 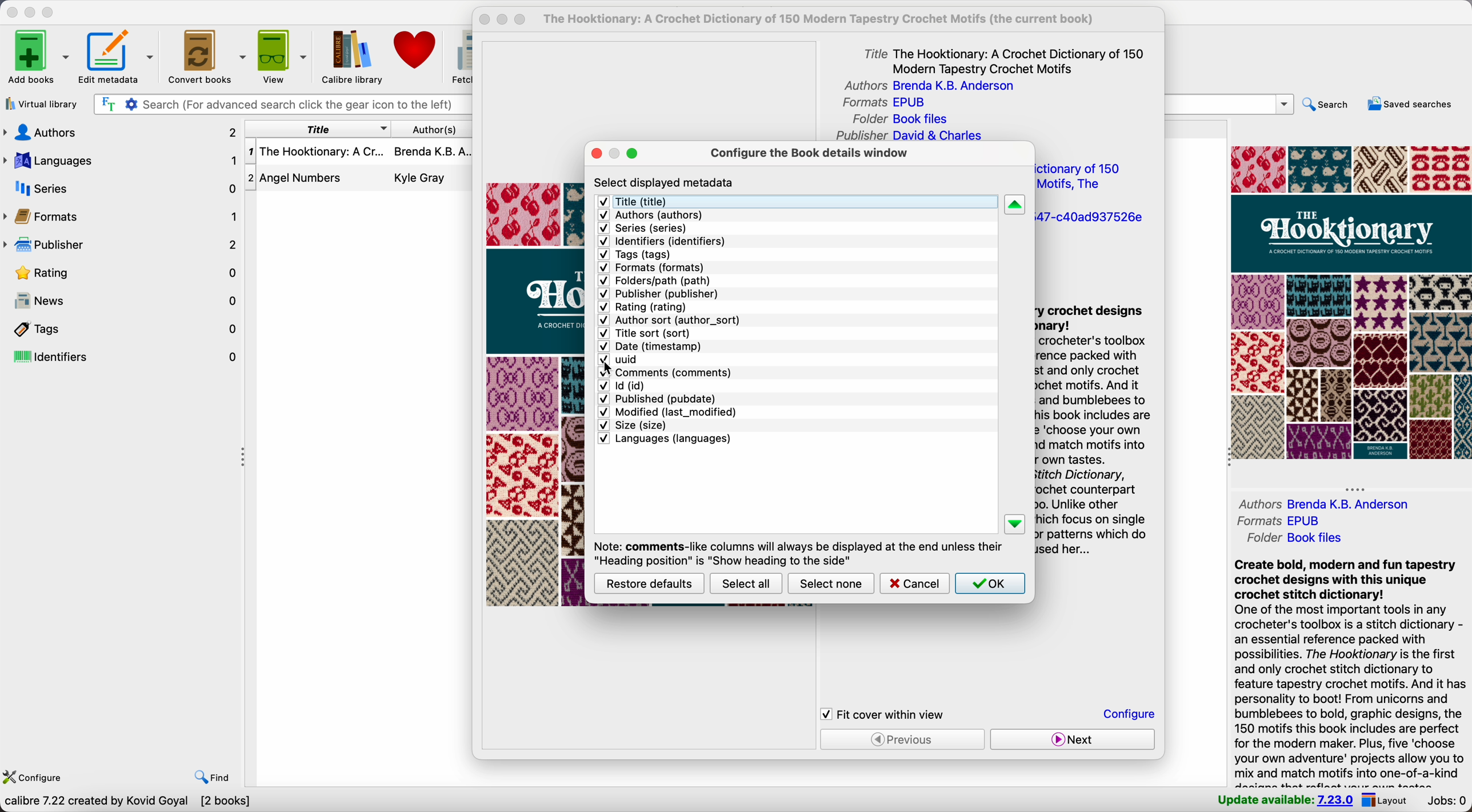 What do you see at coordinates (282, 55) in the screenshot?
I see `view` at bounding box center [282, 55].